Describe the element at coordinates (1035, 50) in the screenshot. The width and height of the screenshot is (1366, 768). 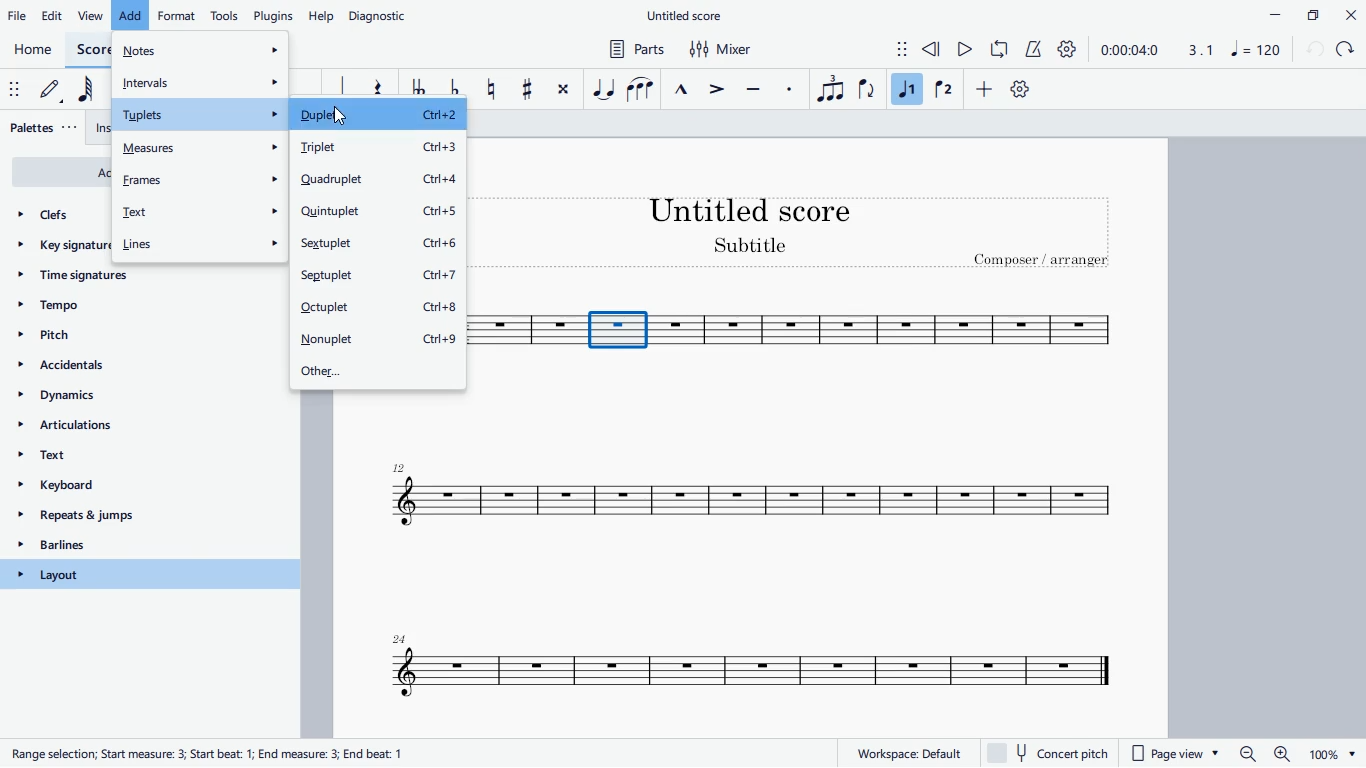
I see `metronome` at that location.